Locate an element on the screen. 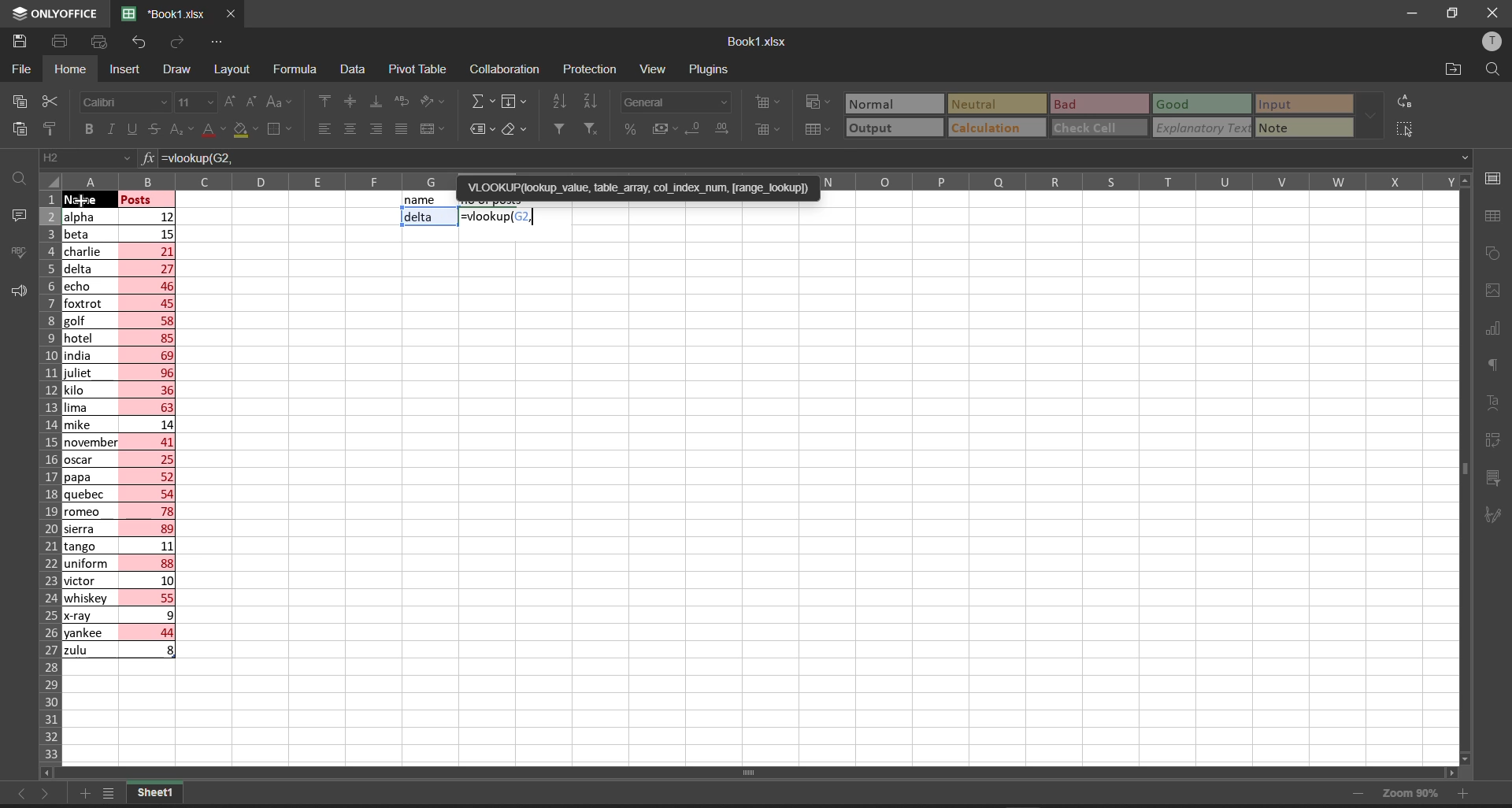  open file location is located at coordinates (1455, 68).